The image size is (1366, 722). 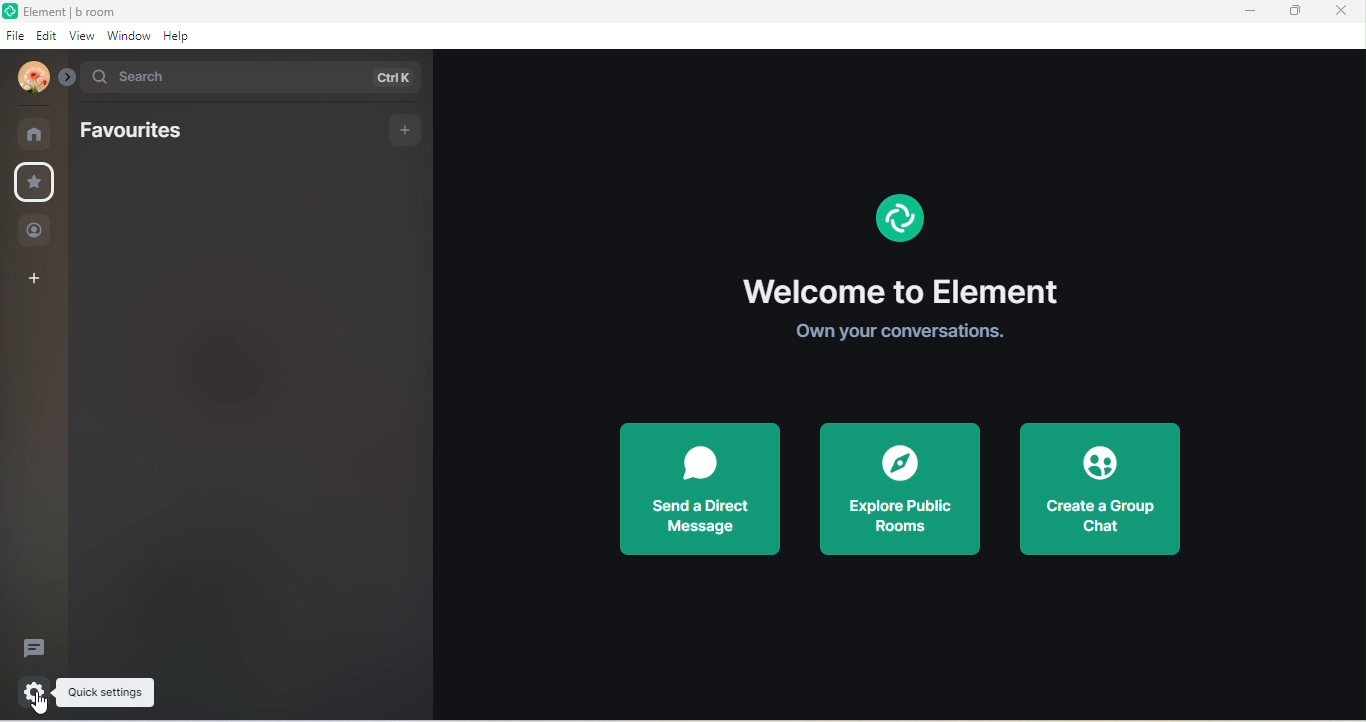 I want to click on expand, so click(x=68, y=76).